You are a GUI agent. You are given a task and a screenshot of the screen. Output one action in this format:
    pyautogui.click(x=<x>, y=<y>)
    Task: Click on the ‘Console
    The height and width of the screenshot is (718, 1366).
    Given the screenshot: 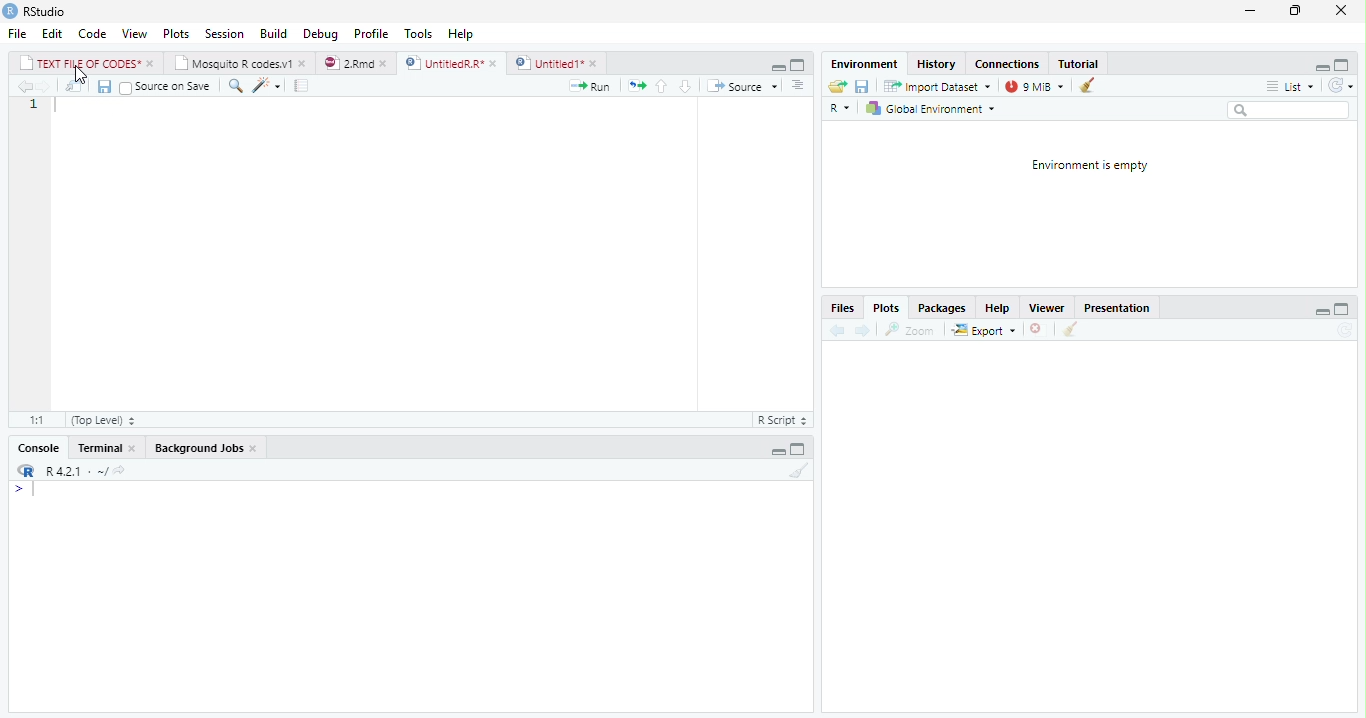 What is the action you would take?
    pyautogui.click(x=33, y=450)
    